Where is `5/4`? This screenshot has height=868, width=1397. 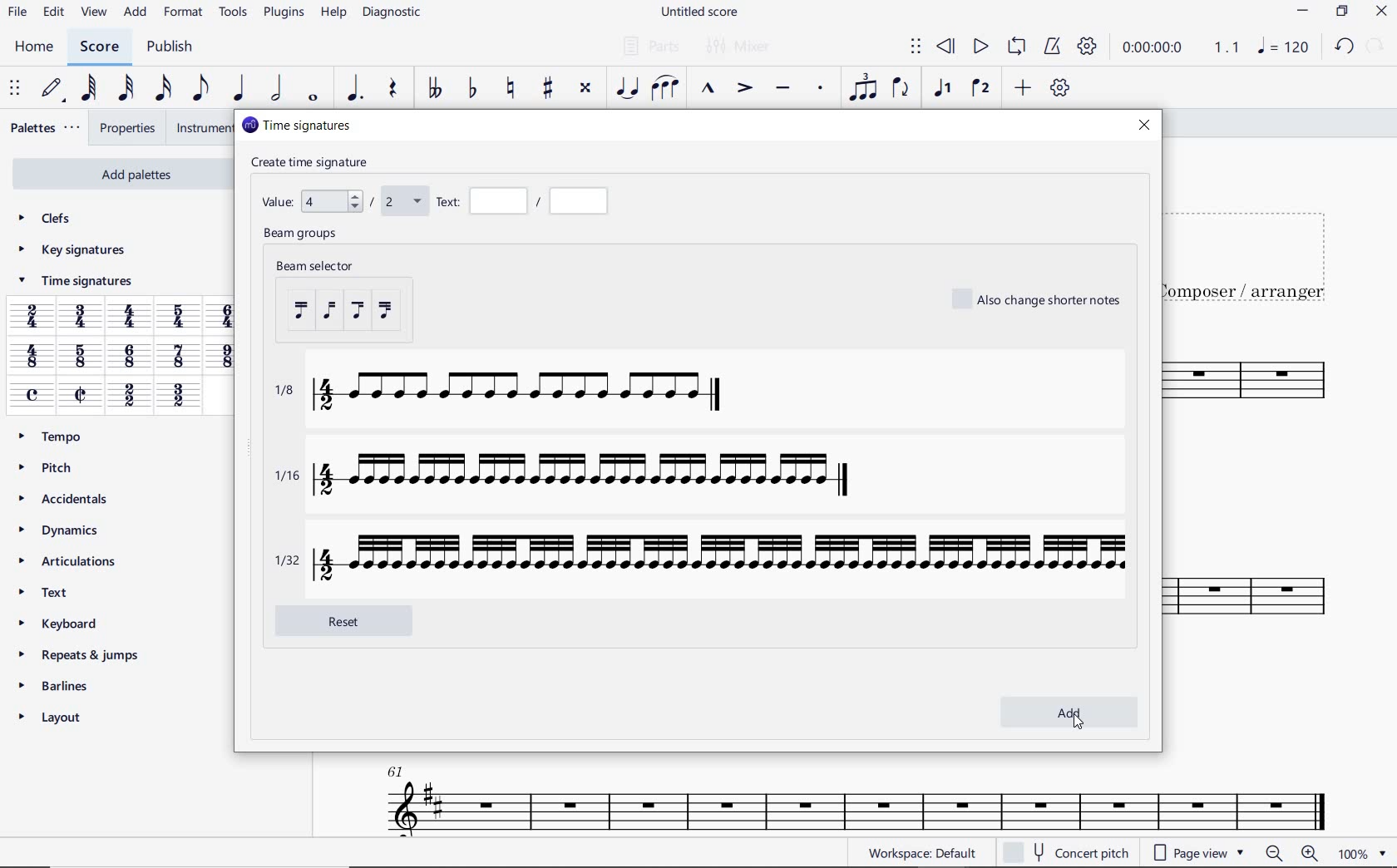 5/4 is located at coordinates (182, 316).